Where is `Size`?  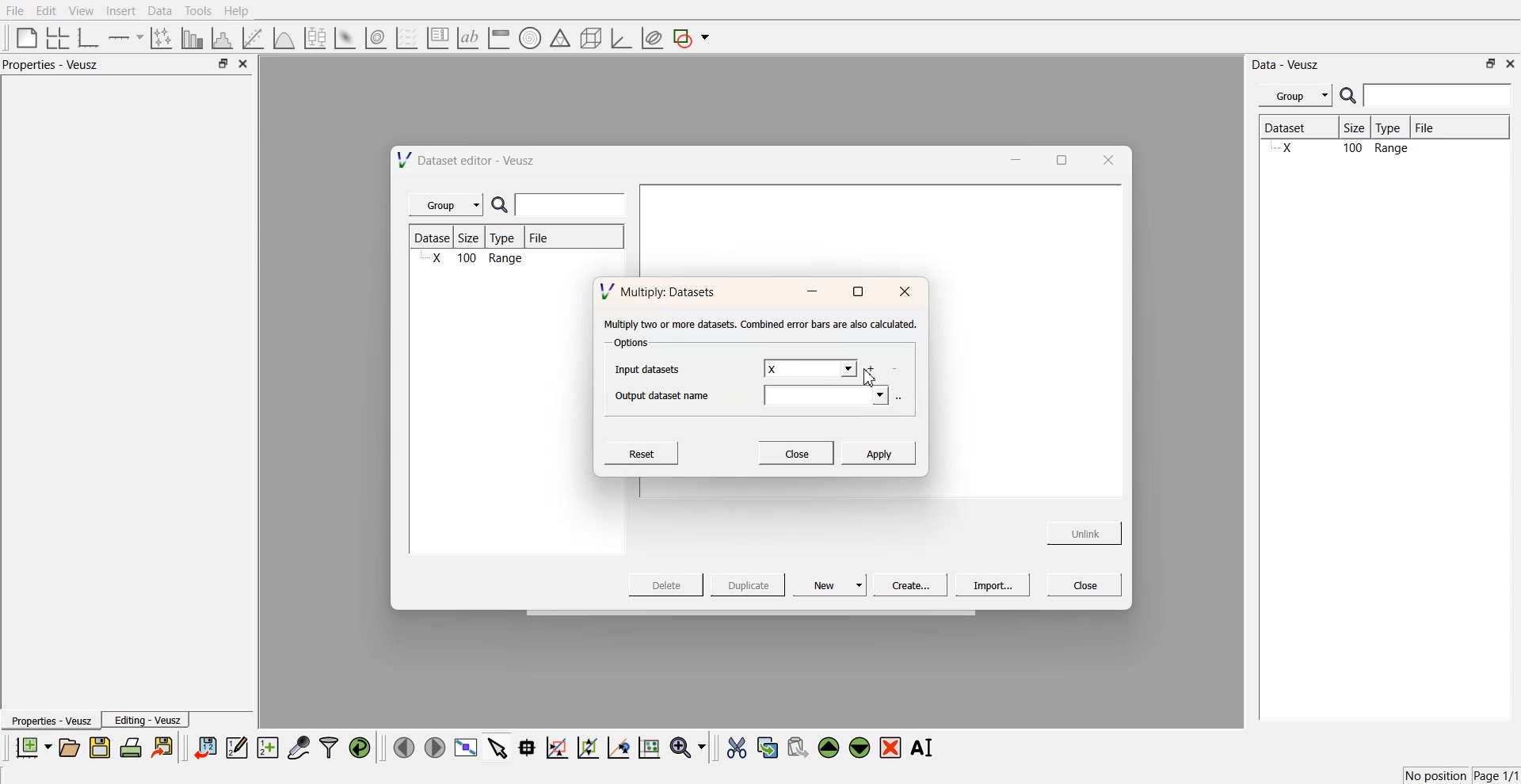
Size is located at coordinates (1359, 129).